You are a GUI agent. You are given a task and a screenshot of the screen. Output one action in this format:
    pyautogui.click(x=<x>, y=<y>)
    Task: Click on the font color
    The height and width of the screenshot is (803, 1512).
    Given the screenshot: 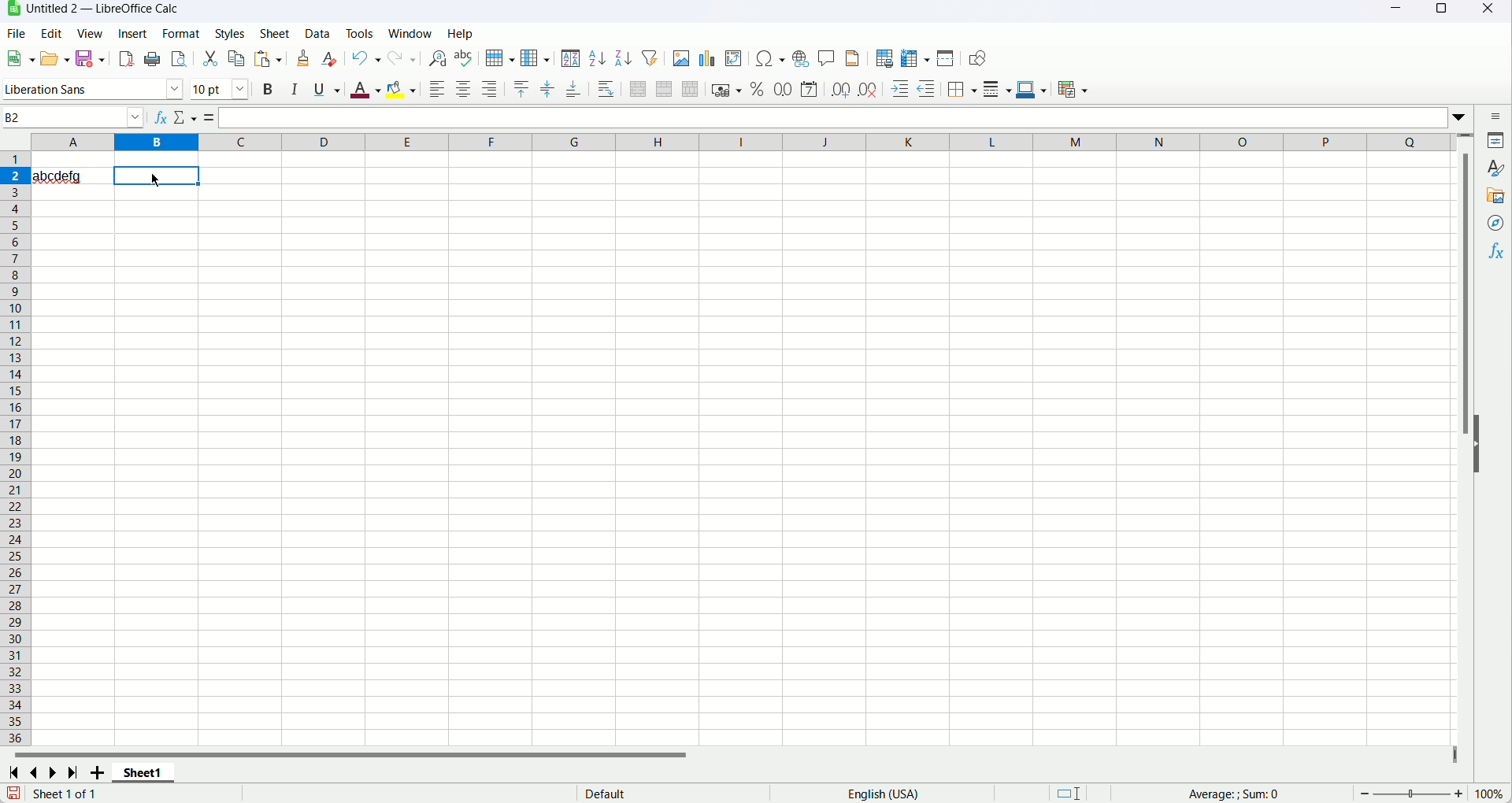 What is the action you would take?
    pyautogui.click(x=366, y=91)
    